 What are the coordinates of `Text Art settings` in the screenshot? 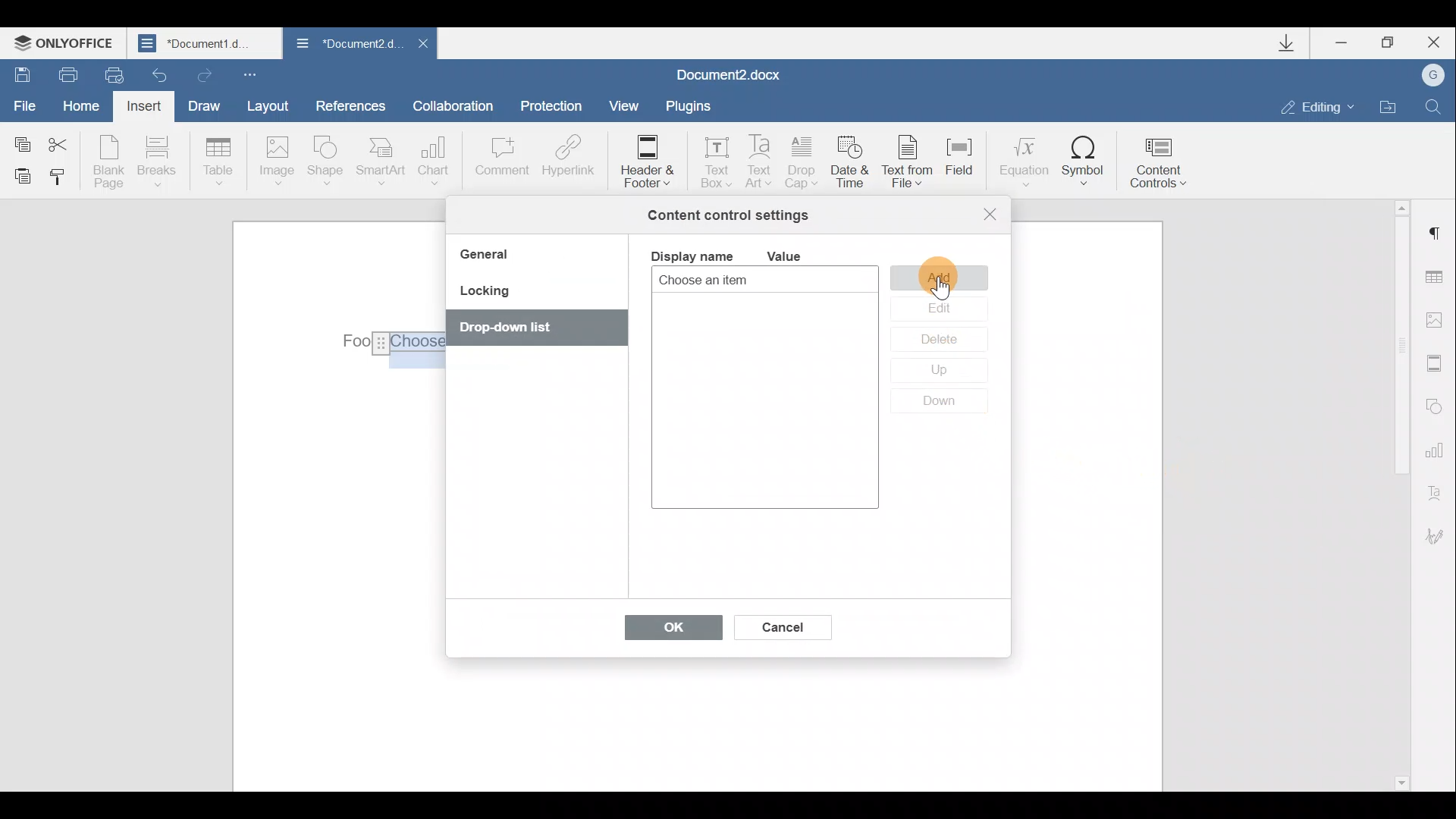 It's located at (1439, 490).